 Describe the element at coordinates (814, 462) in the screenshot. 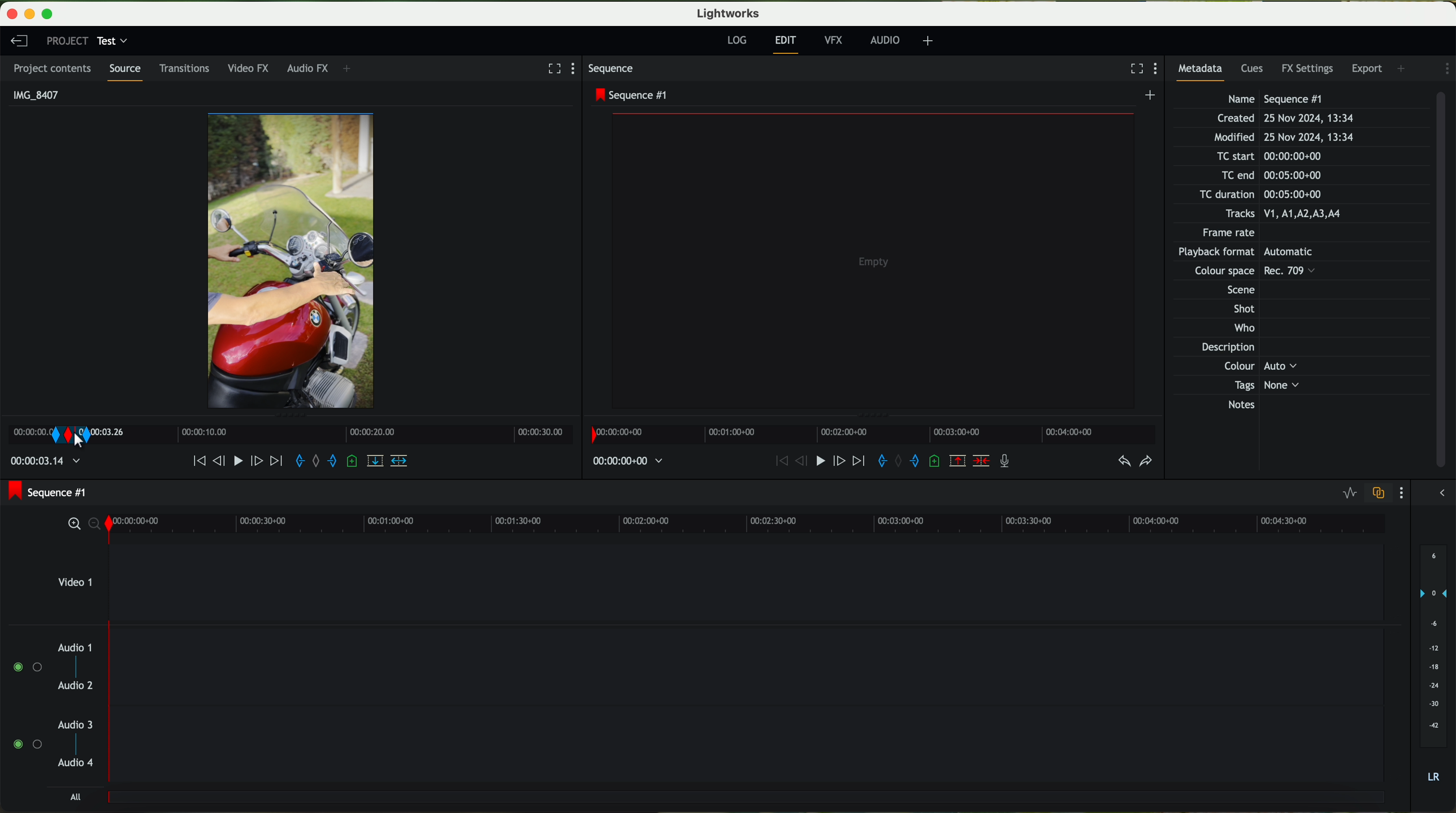

I see `play` at that location.